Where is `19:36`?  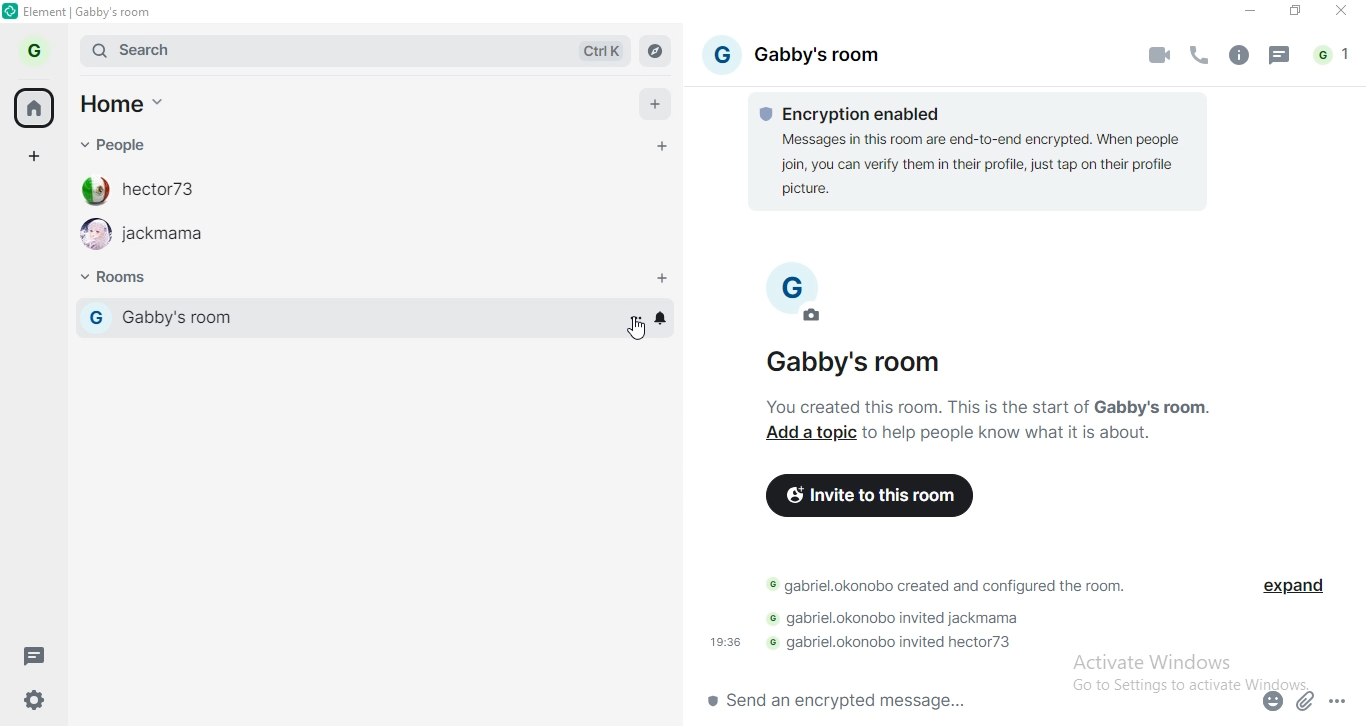
19:36 is located at coordinates (726, 643).